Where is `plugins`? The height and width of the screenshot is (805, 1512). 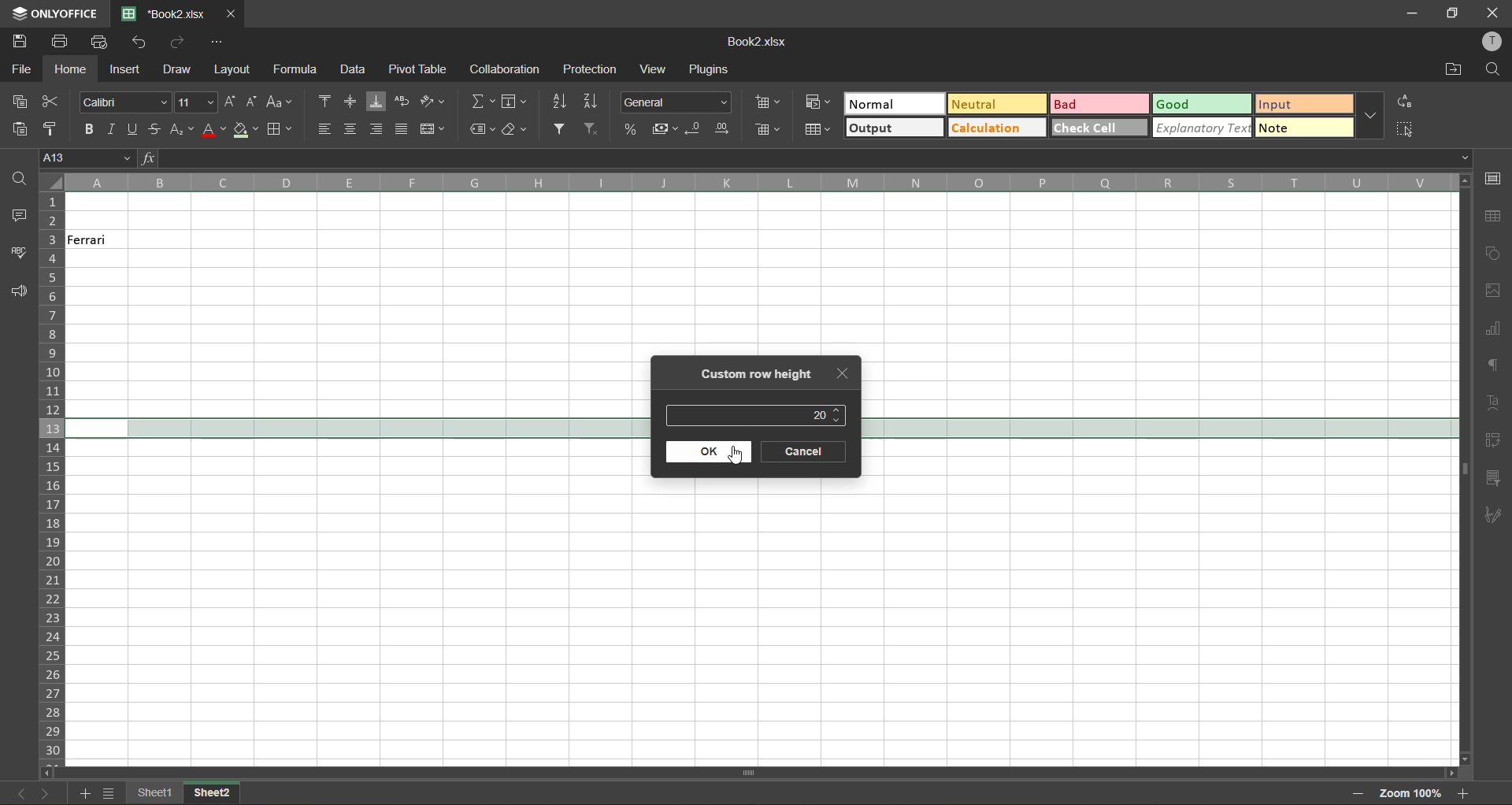 plugins is located at coordinates (708, 67).